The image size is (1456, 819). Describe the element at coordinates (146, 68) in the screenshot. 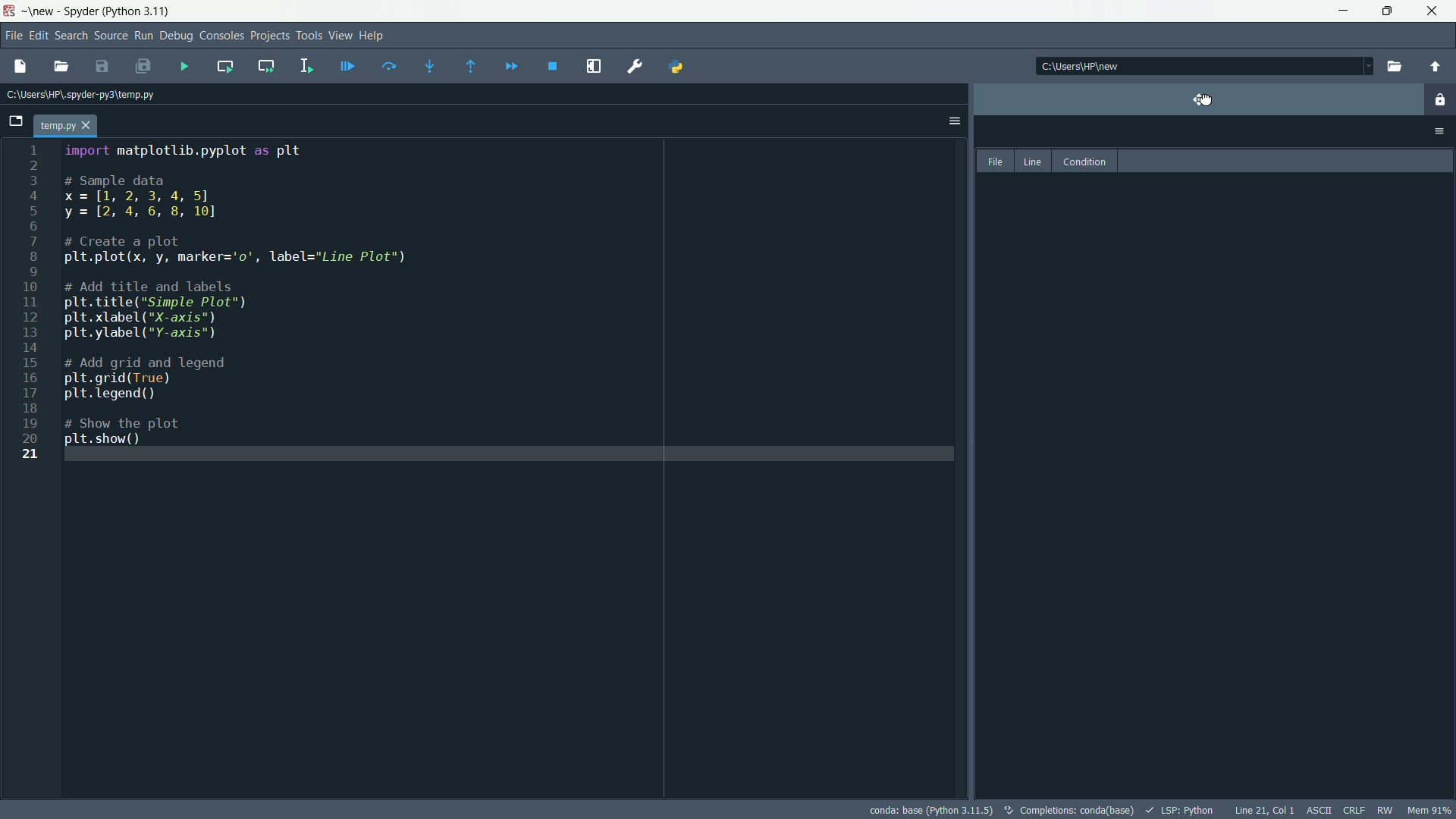

I see `save all files` at that location.